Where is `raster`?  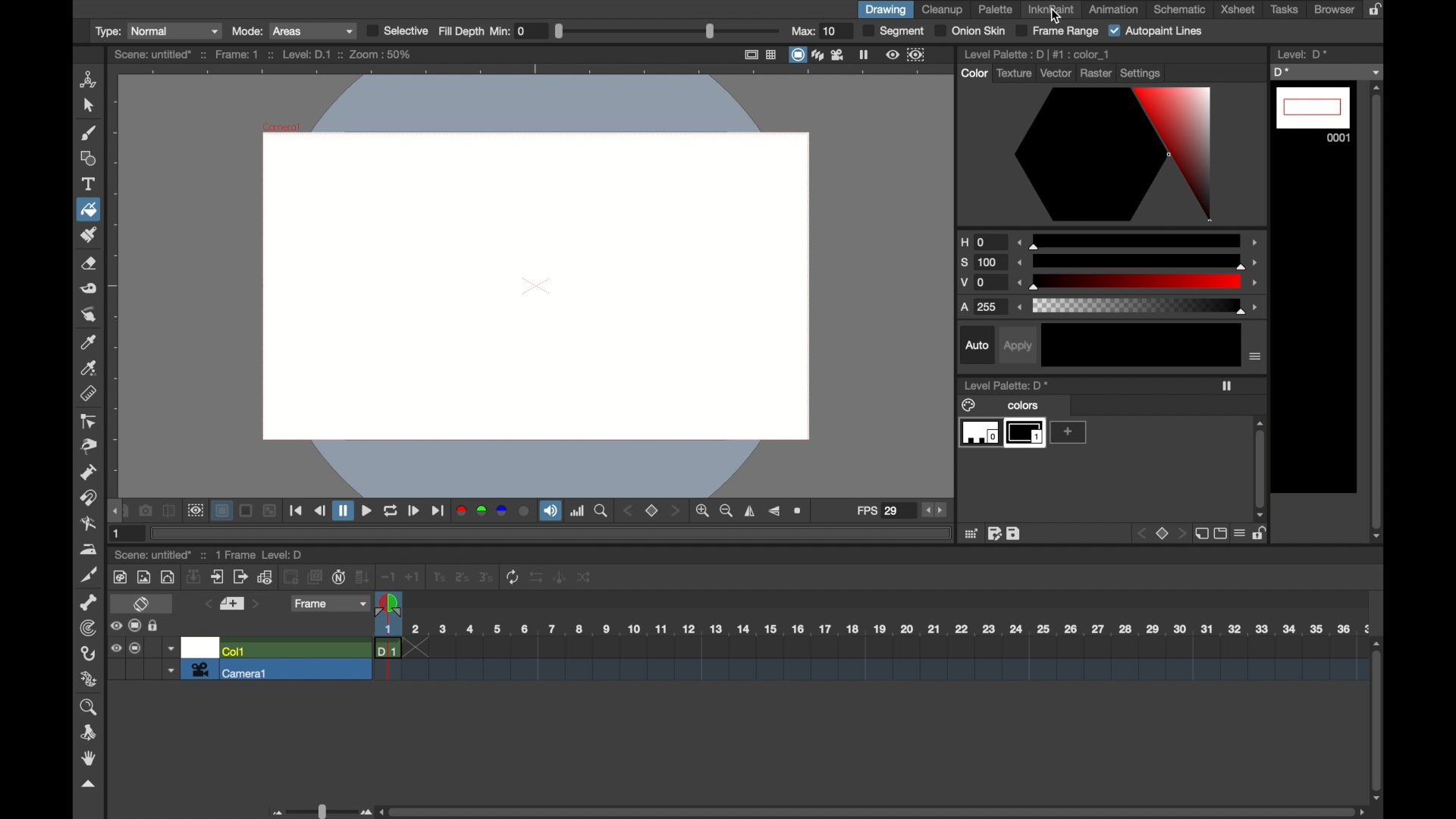 raster is located at coordinates (1097, 72).